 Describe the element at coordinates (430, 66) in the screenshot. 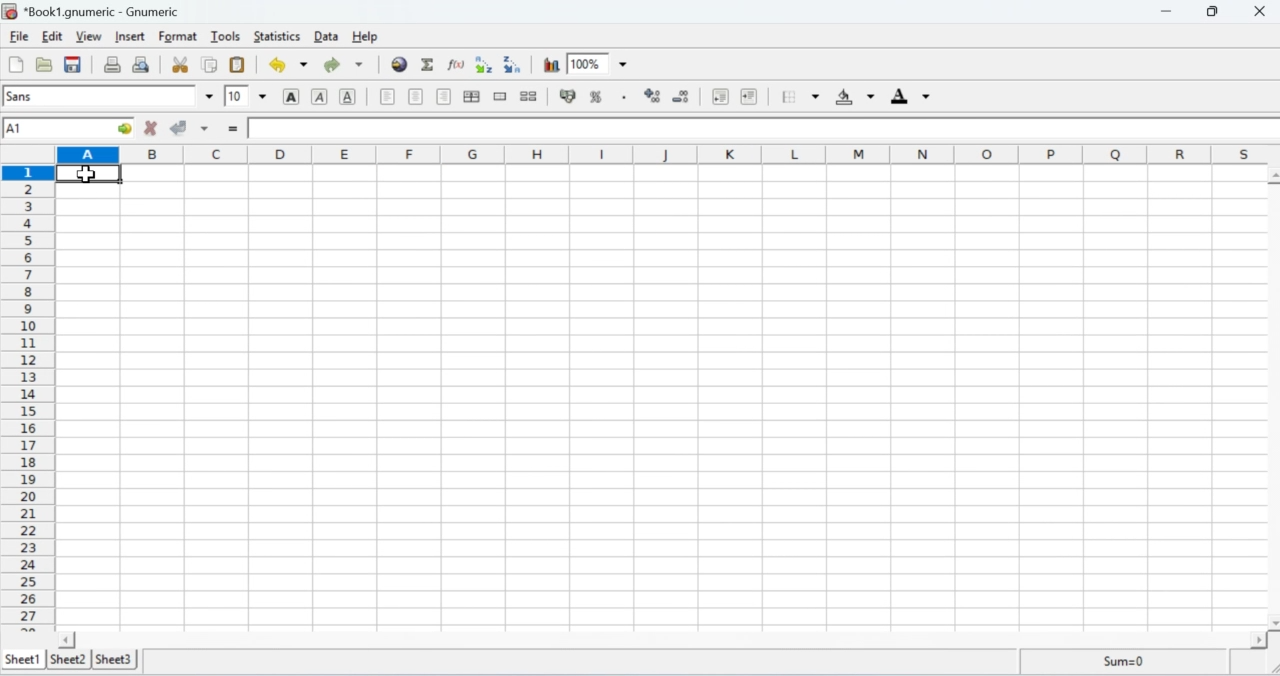

I see `Sum into the current cell` at that location.